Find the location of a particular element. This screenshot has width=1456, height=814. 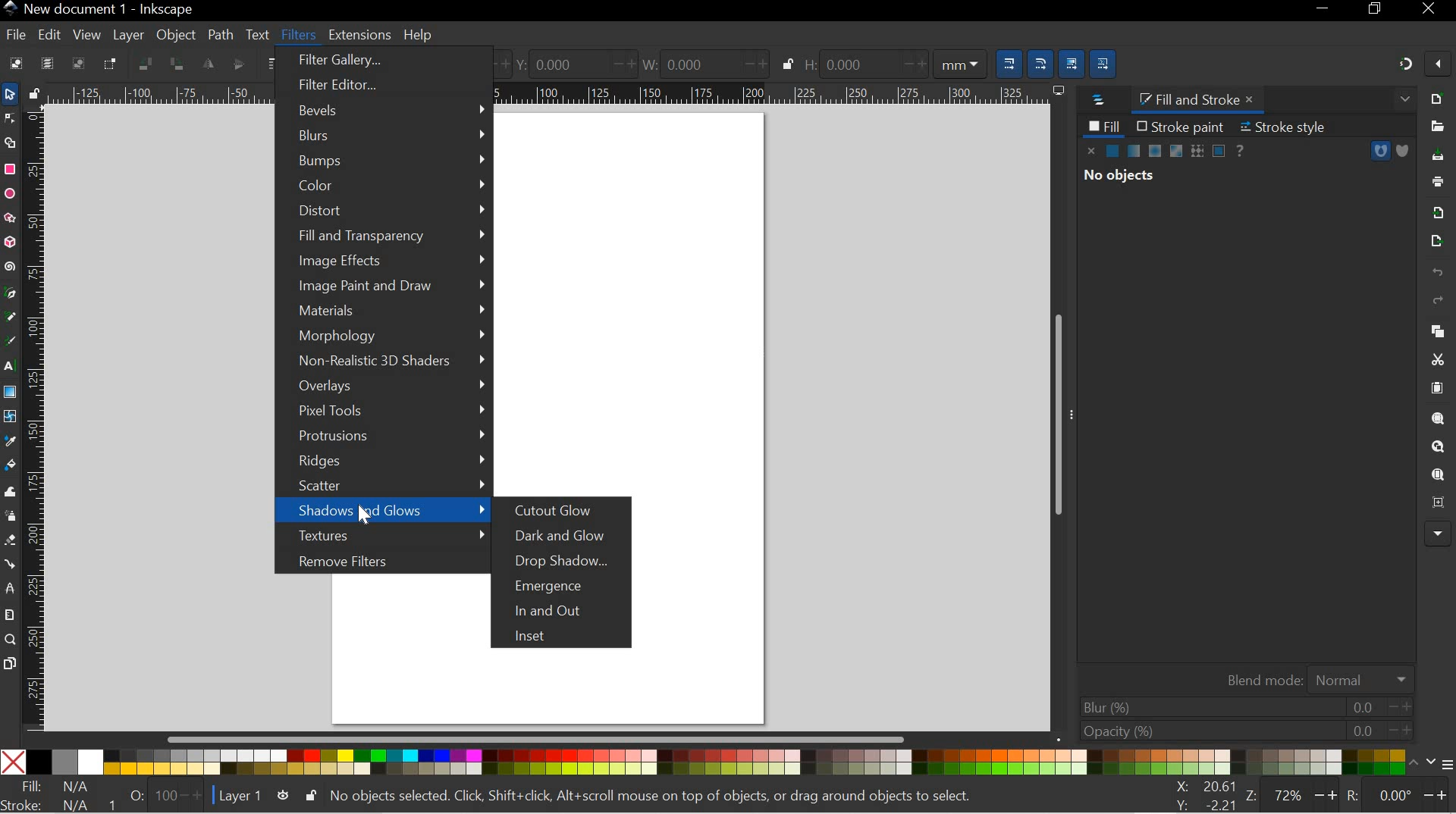

INSERT is located at coordinates (566, 637).